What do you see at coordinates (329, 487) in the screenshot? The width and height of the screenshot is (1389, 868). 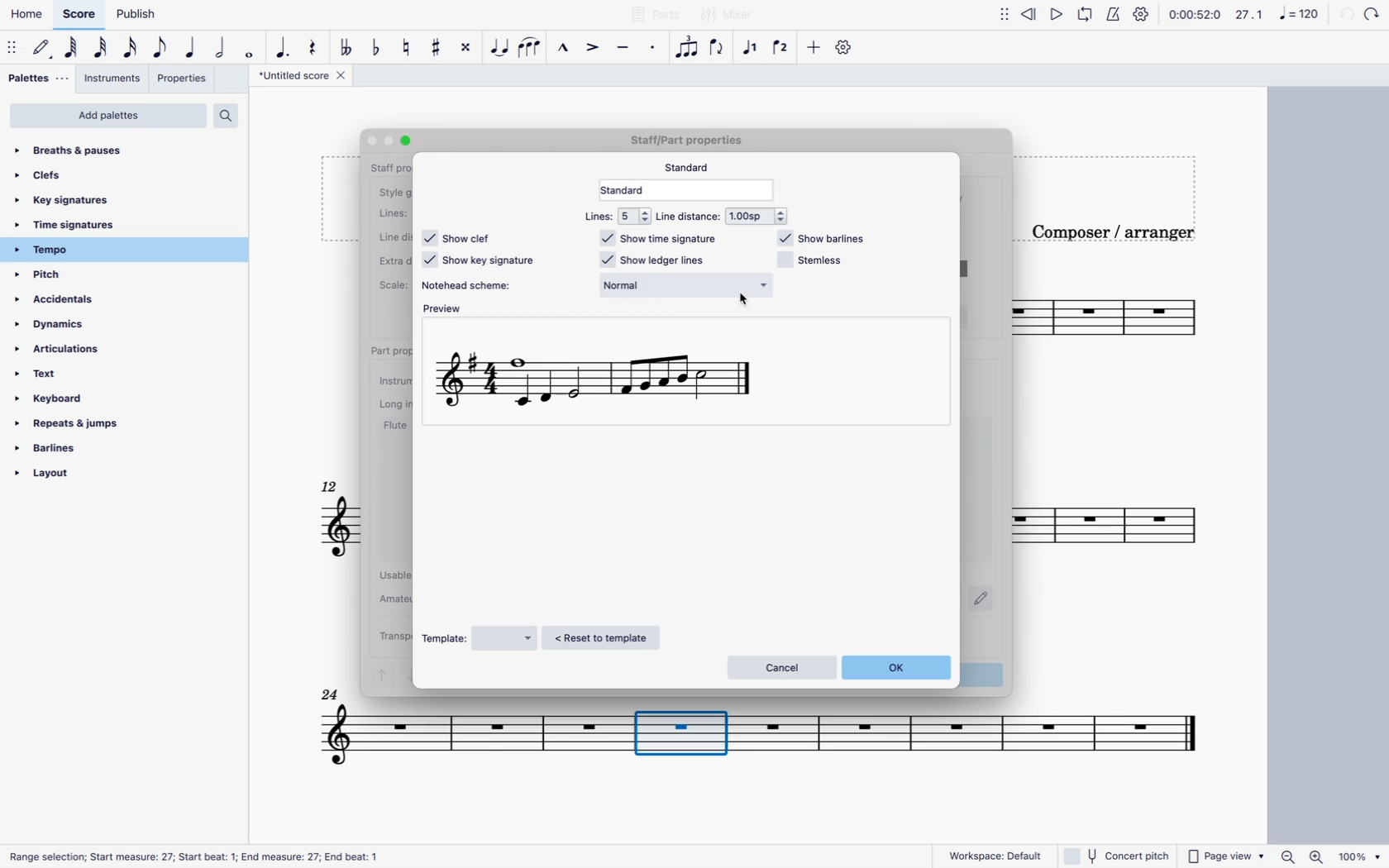 I see `12` at bounding box center [329, 487].